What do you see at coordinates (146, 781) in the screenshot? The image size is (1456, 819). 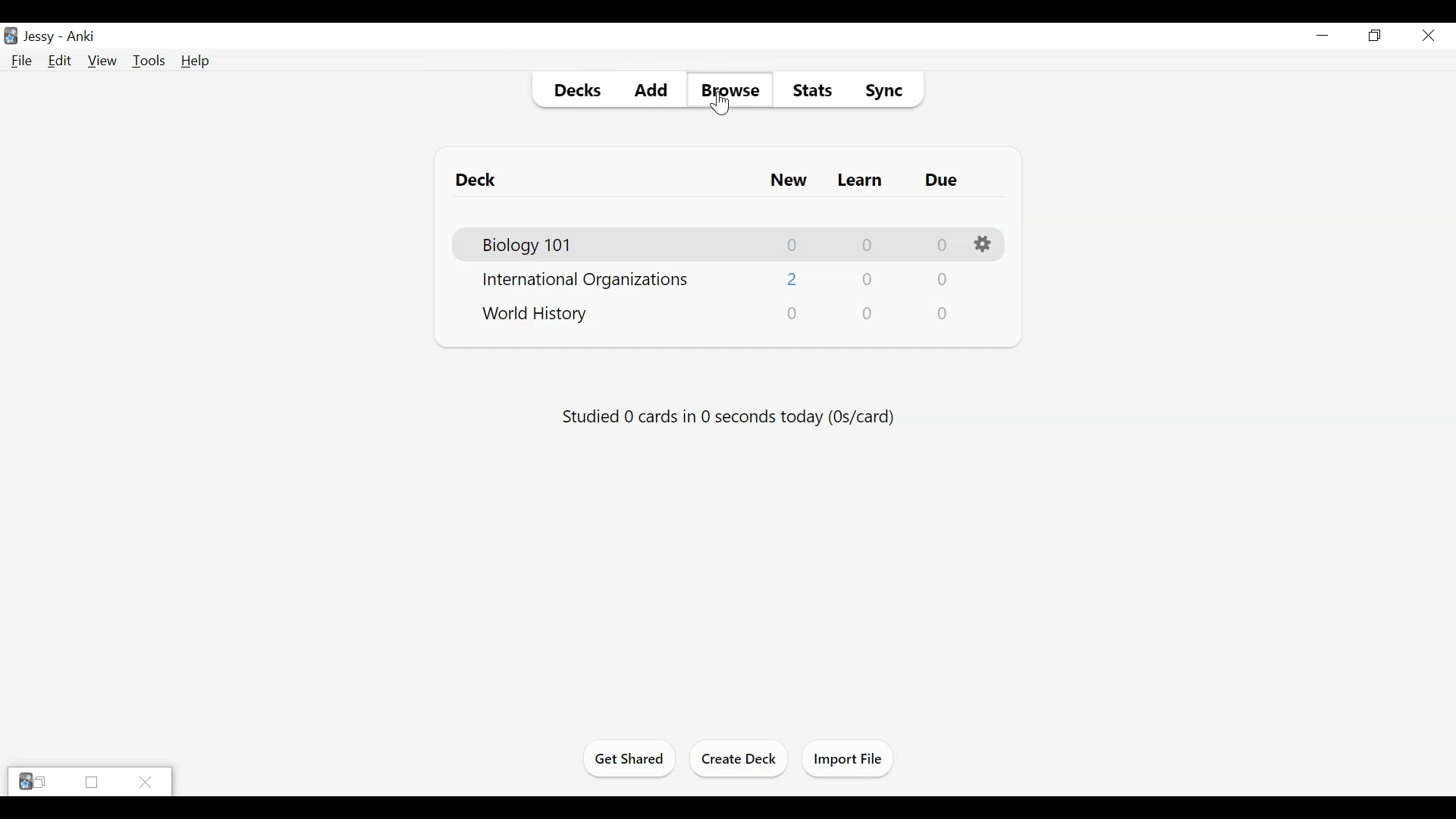 I see `Close` at bounding box center [146, 781].